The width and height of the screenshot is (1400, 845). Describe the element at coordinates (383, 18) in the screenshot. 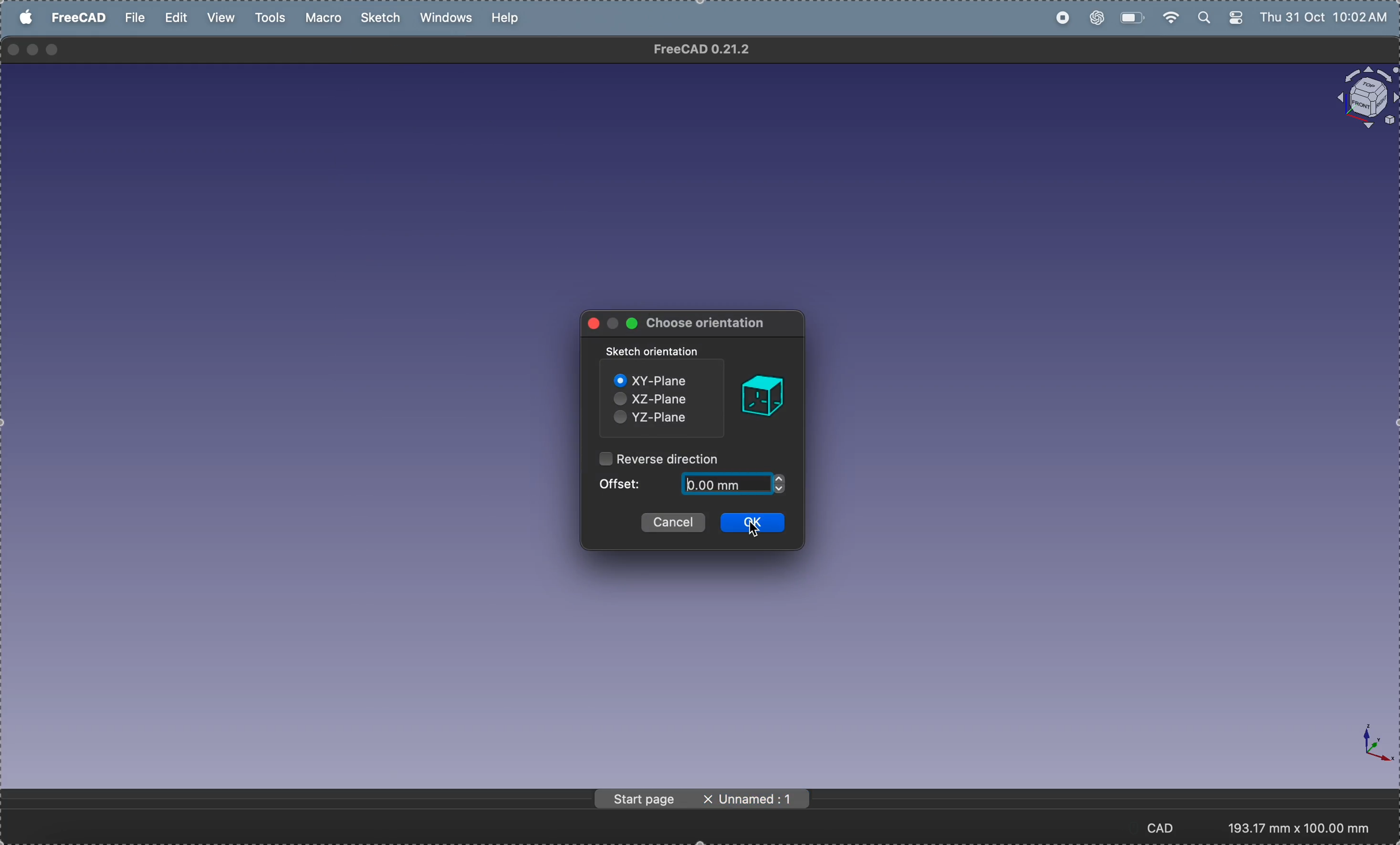

I see `sketch` at that location.